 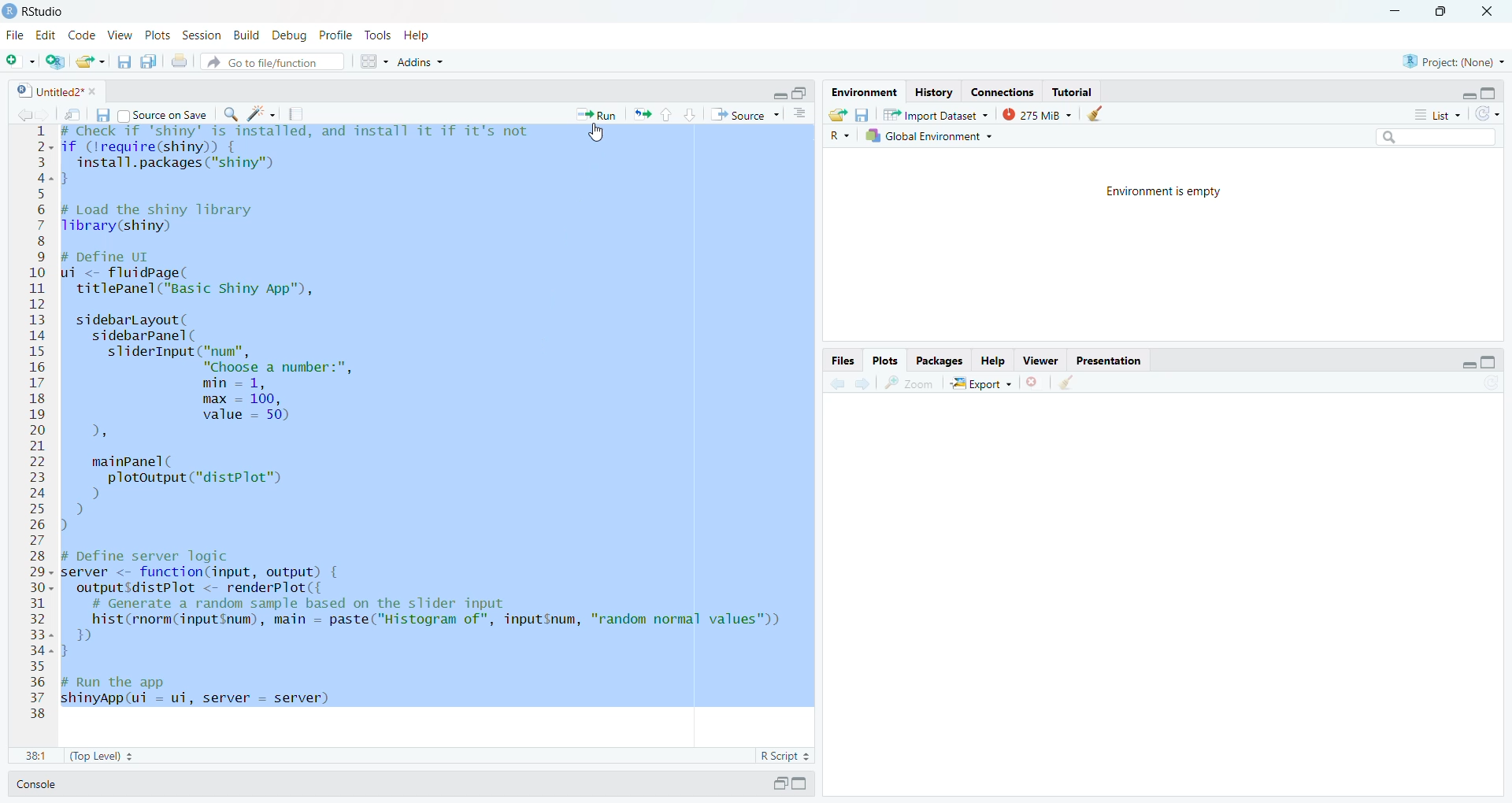 What do you see at coordinates (120, 35) in the screenshot?
I see `View` at bounding box center [120, 35].